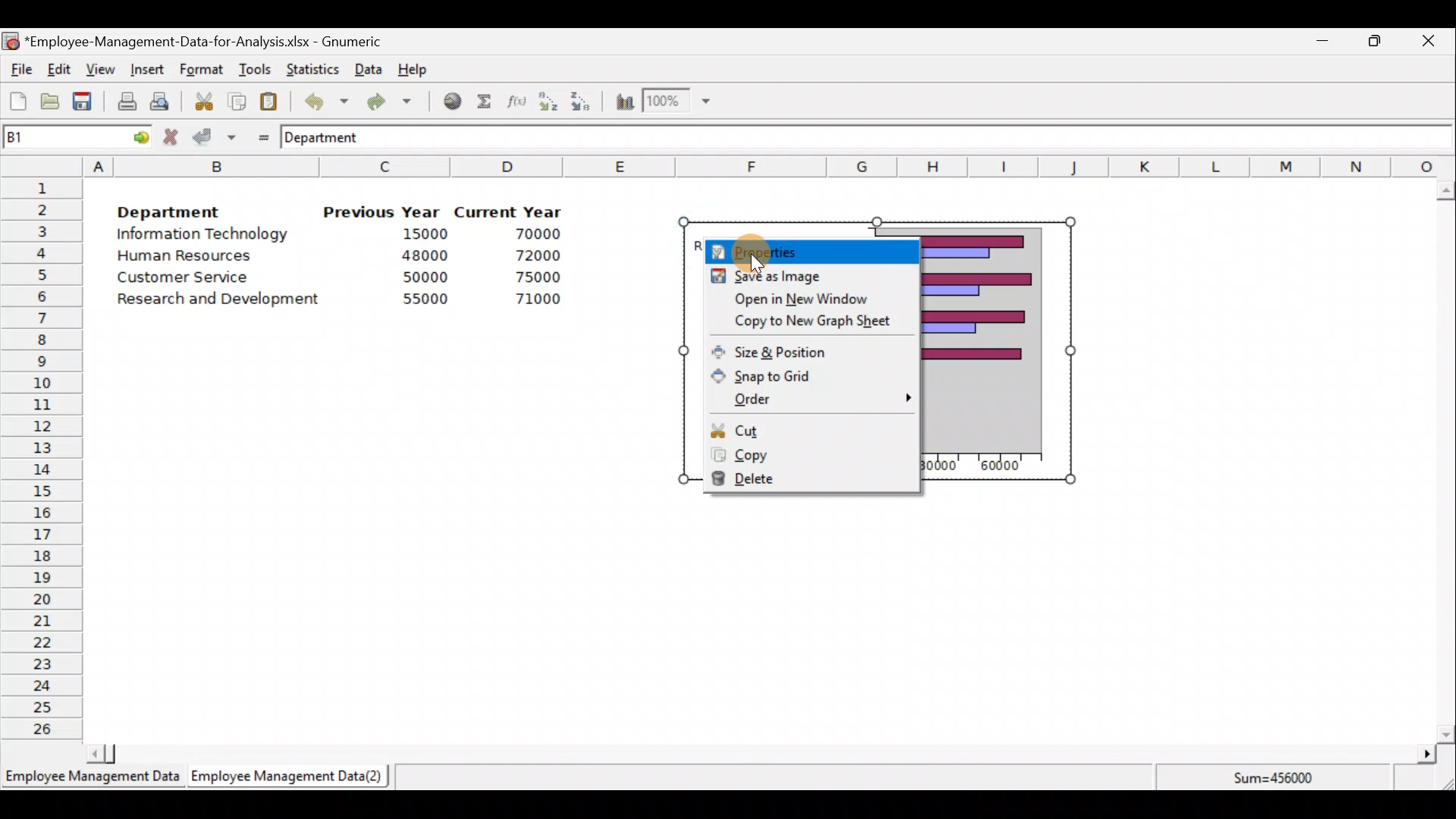  I want to click on Statistics, so click(309, 67).